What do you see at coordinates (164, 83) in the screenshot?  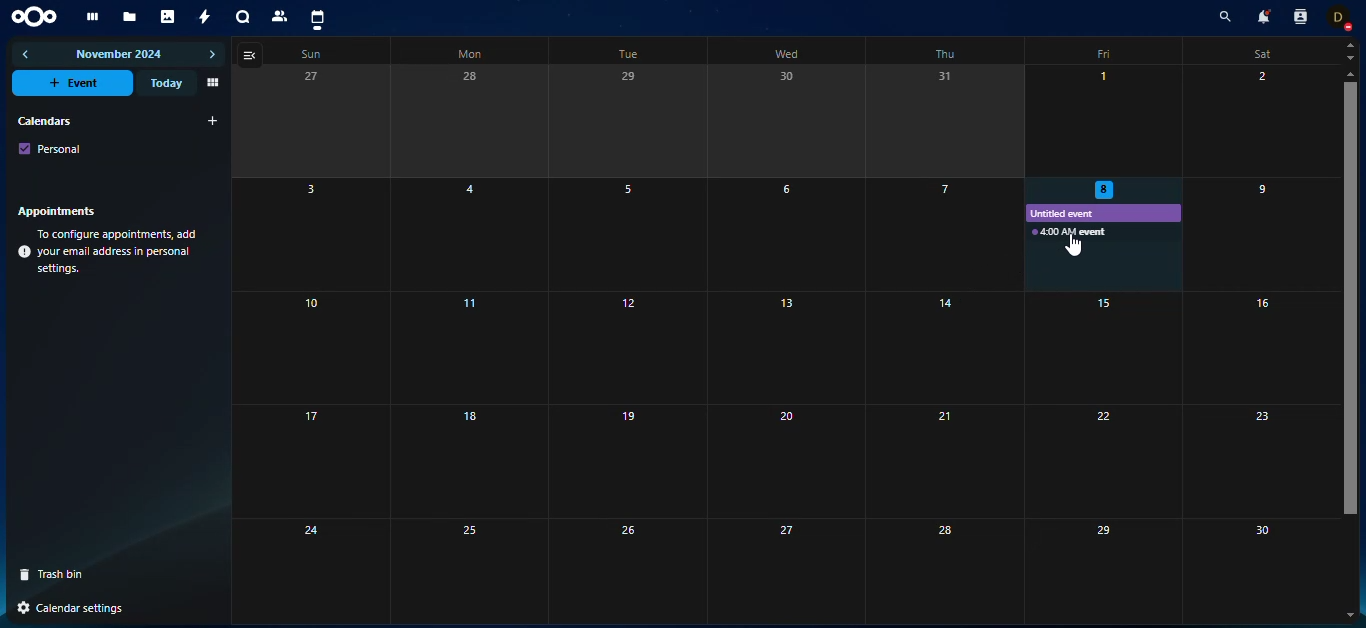 I see `today` at bounding box center [164, 83].